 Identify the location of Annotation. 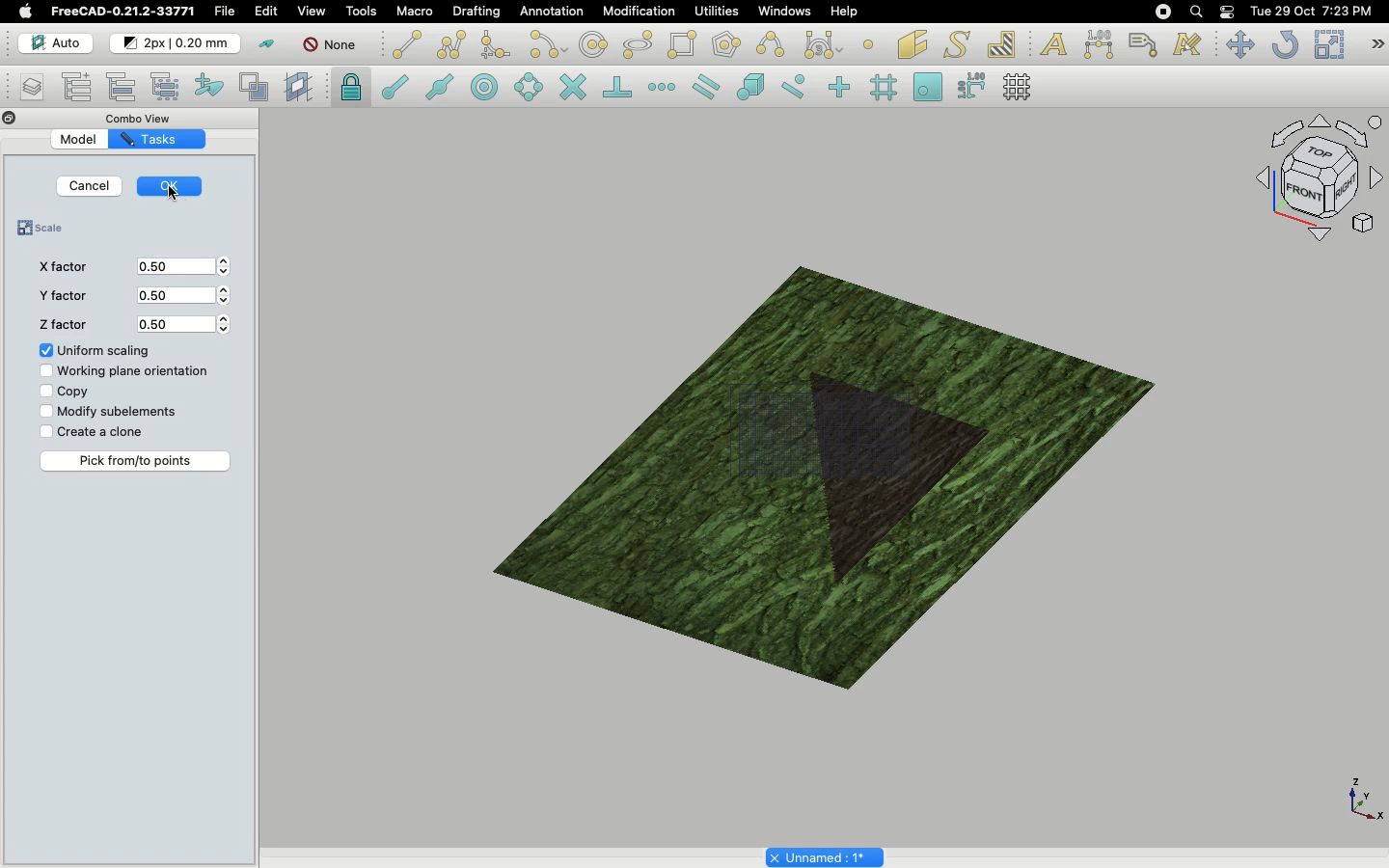
(553, 12).